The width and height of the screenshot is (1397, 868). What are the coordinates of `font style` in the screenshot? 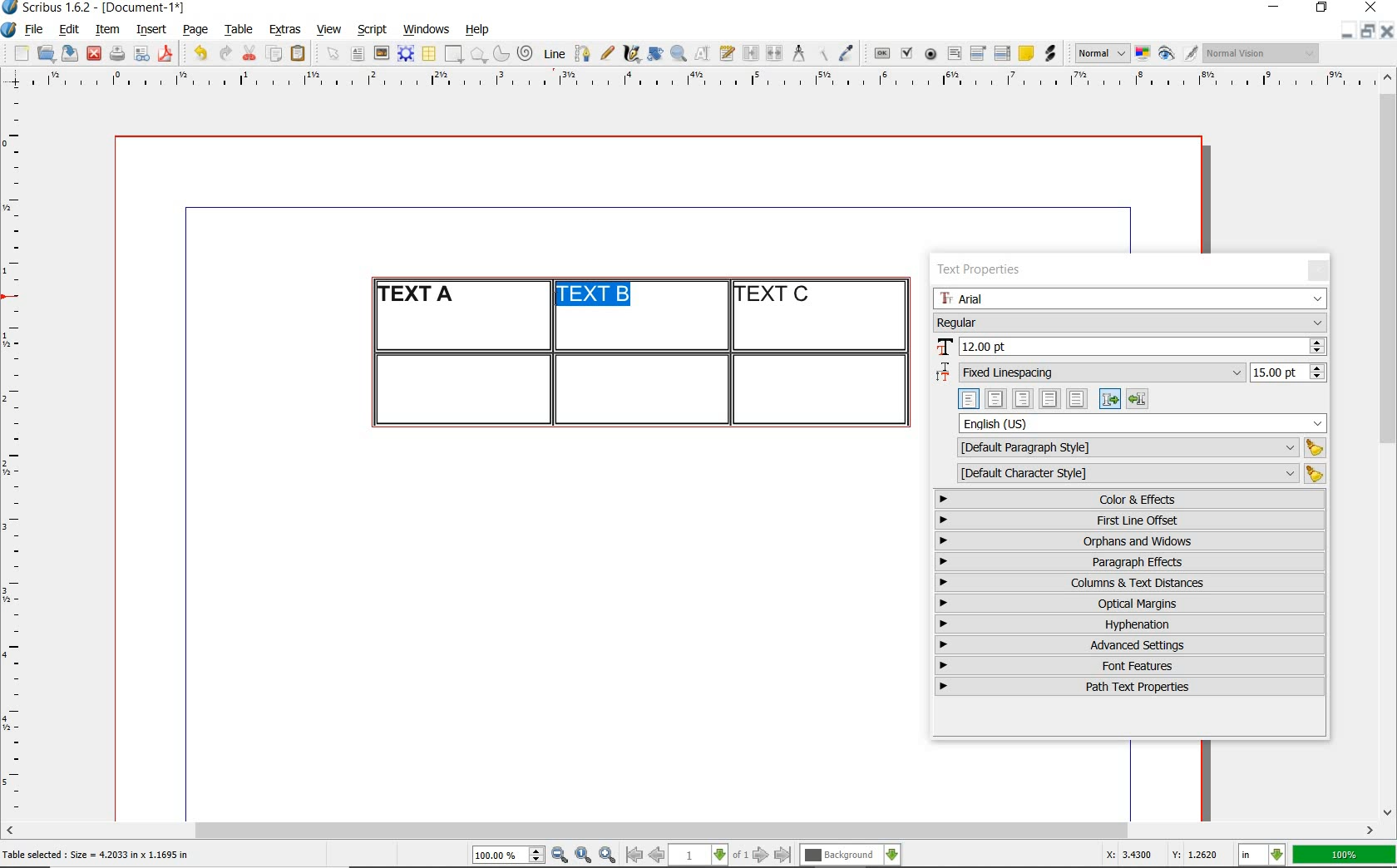 It's located at (1130, 322).